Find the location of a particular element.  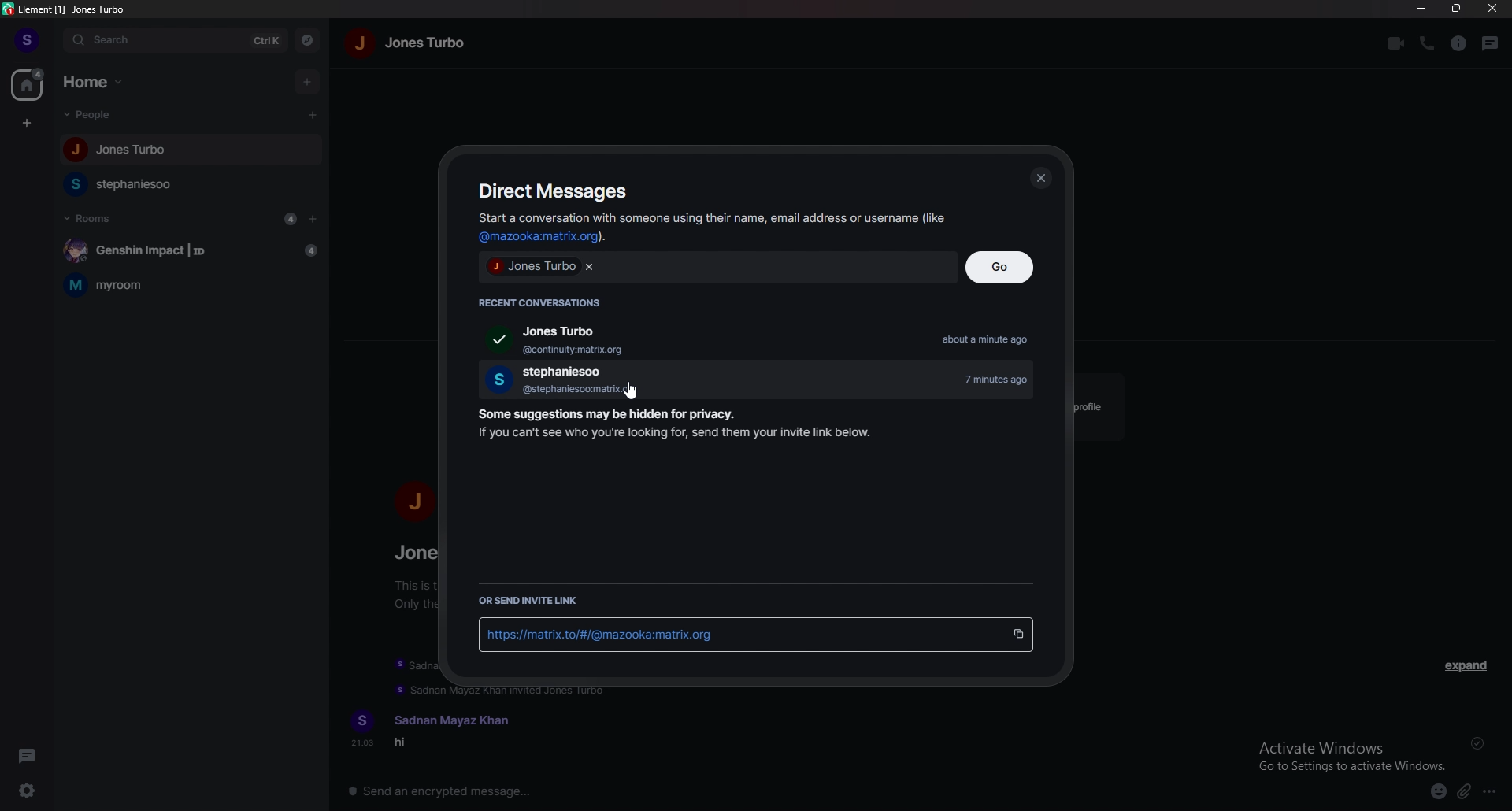

search is located at coordinates (150, 40).